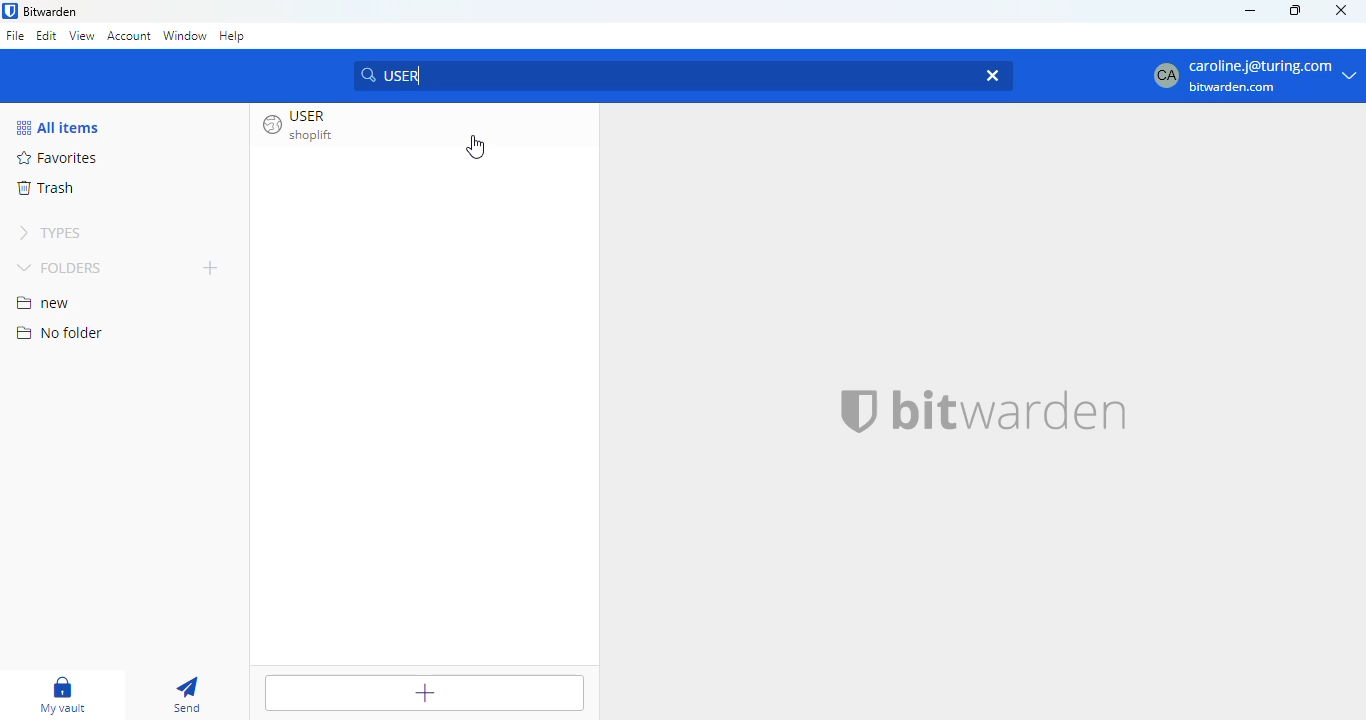 The image size is (1366, 720). Describe the element at coordinates (44, 303) in the screenshot. I see `new` at that location.